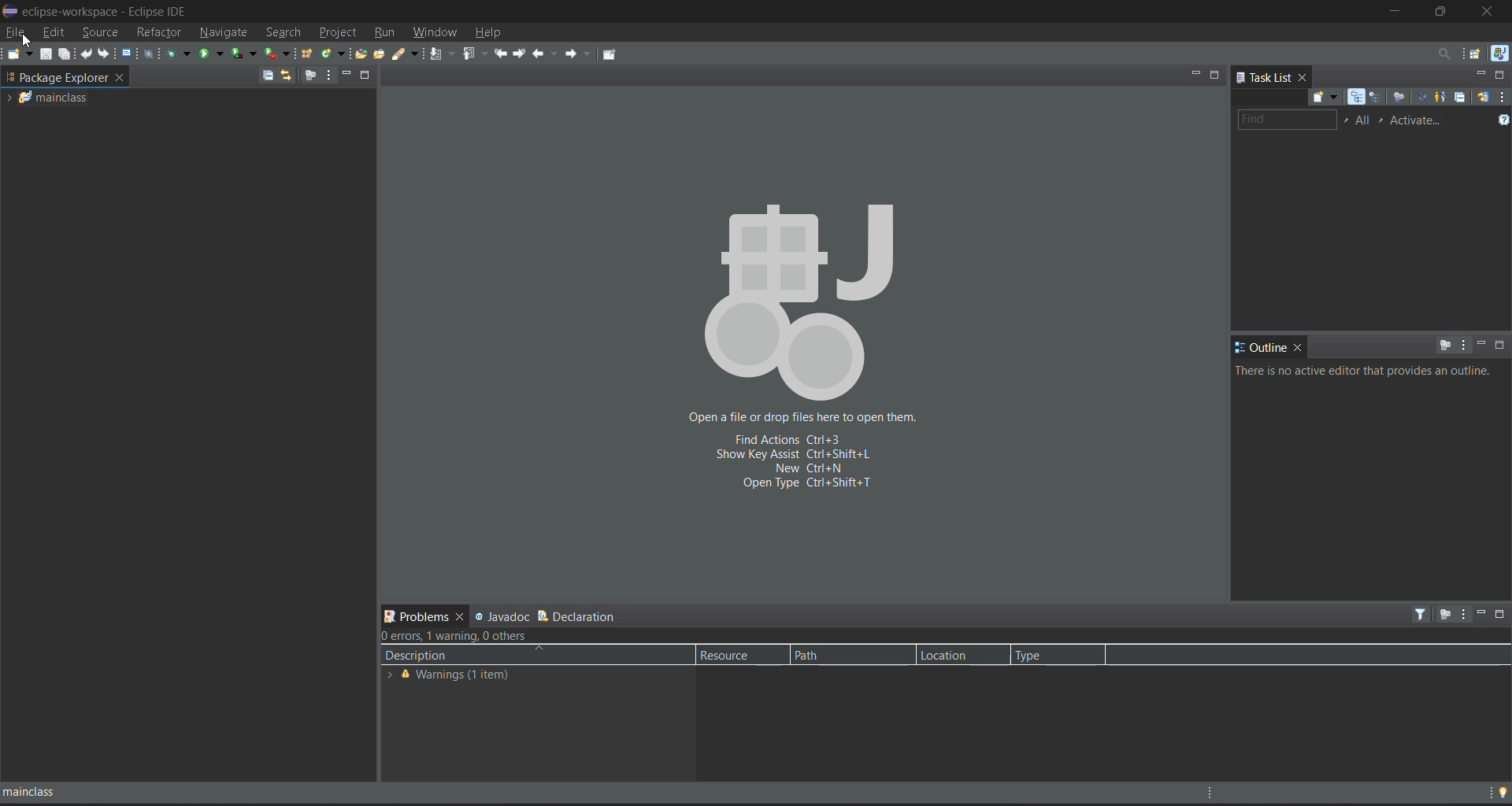 This screenshot has width=1512, height=806. What do you see at coordinates (55, 31) in the screenshot?
I see `edit` at bounding box center [55, 31].